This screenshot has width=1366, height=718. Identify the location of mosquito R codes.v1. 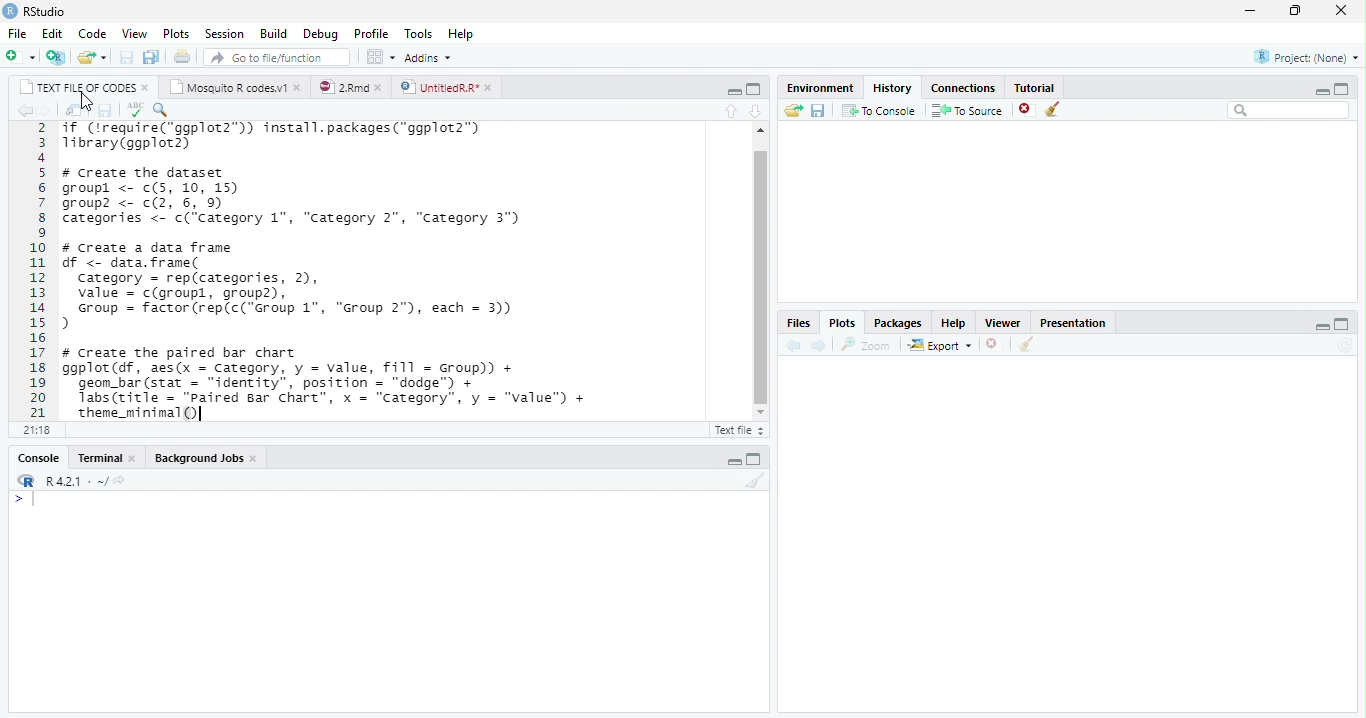
(230, 87).